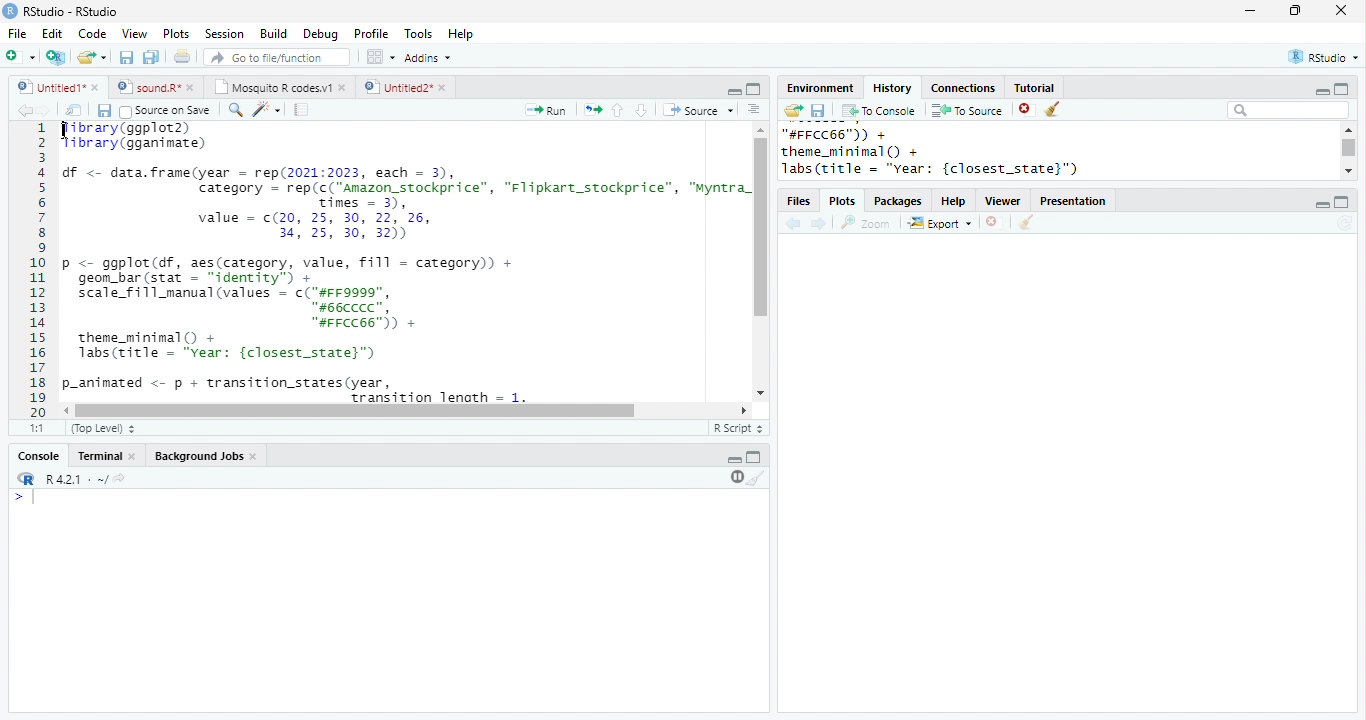  Describe the element at coordinates (1295, 11) in the screenshot. I see `resize` at that location.